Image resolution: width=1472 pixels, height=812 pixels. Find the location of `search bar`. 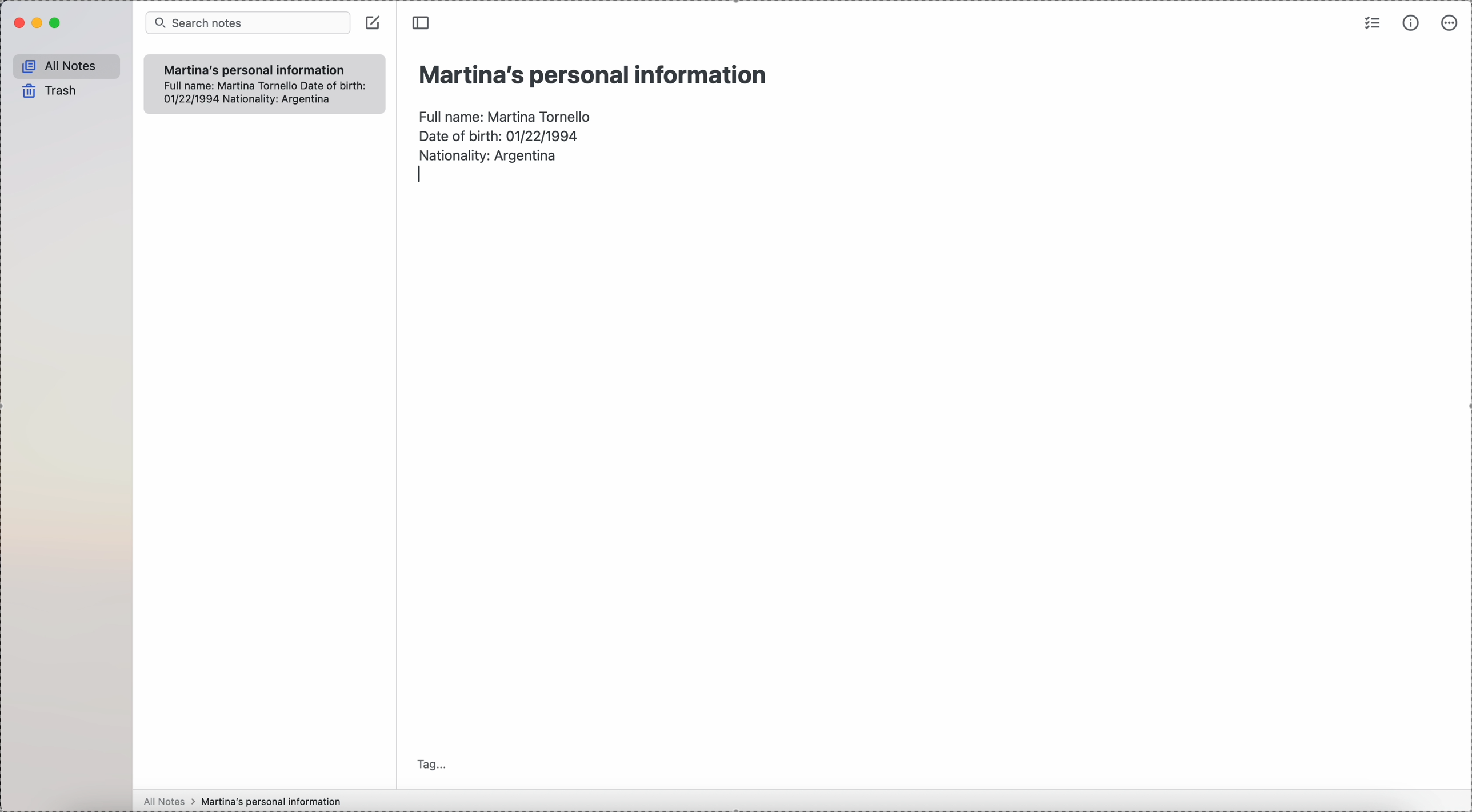

search bar is located at coordinates (249, 23).